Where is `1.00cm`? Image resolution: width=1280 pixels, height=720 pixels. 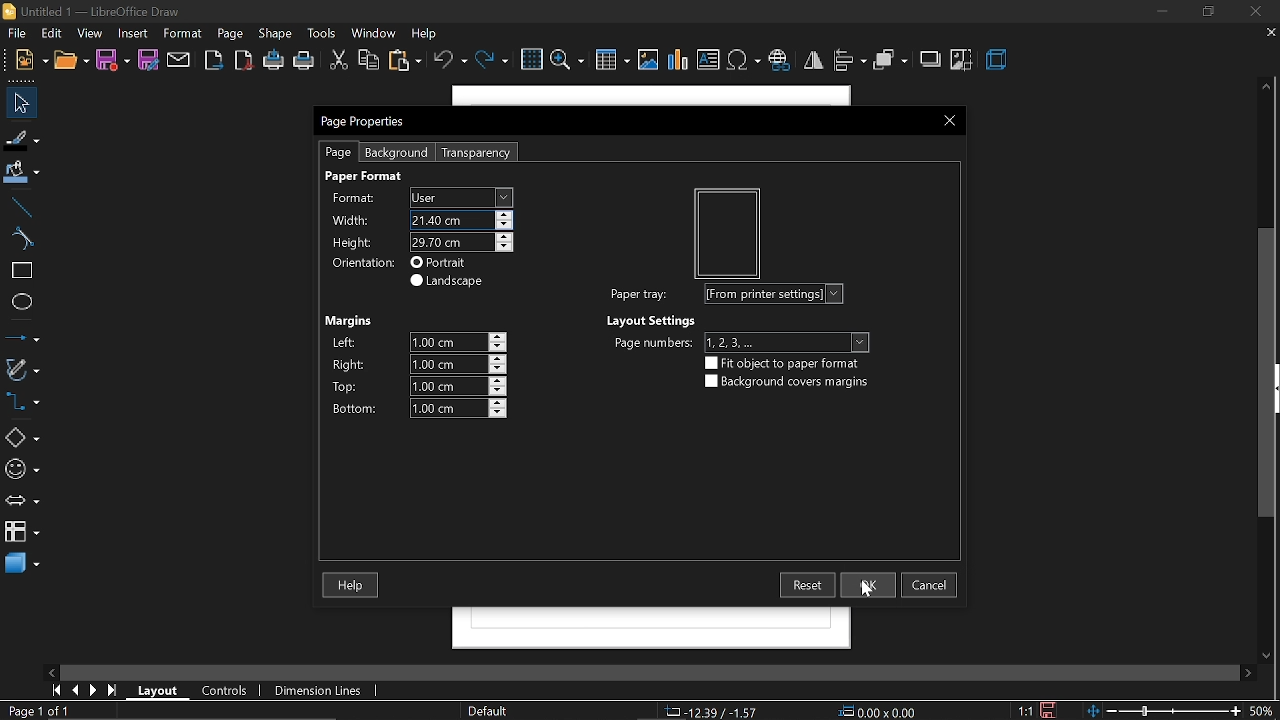
1.00cm is located at coordinates (458, 385).